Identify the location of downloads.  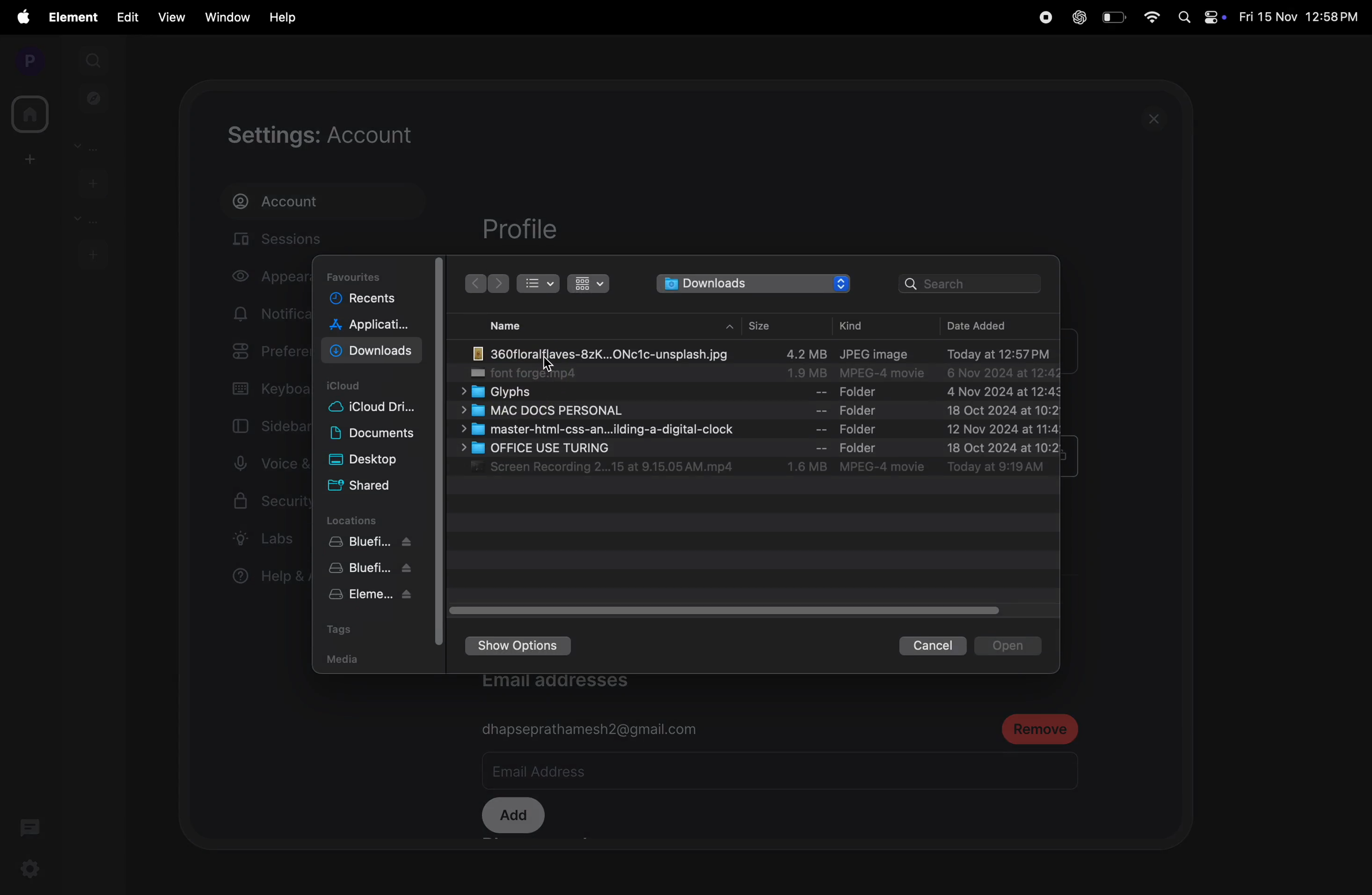
(752, 283).